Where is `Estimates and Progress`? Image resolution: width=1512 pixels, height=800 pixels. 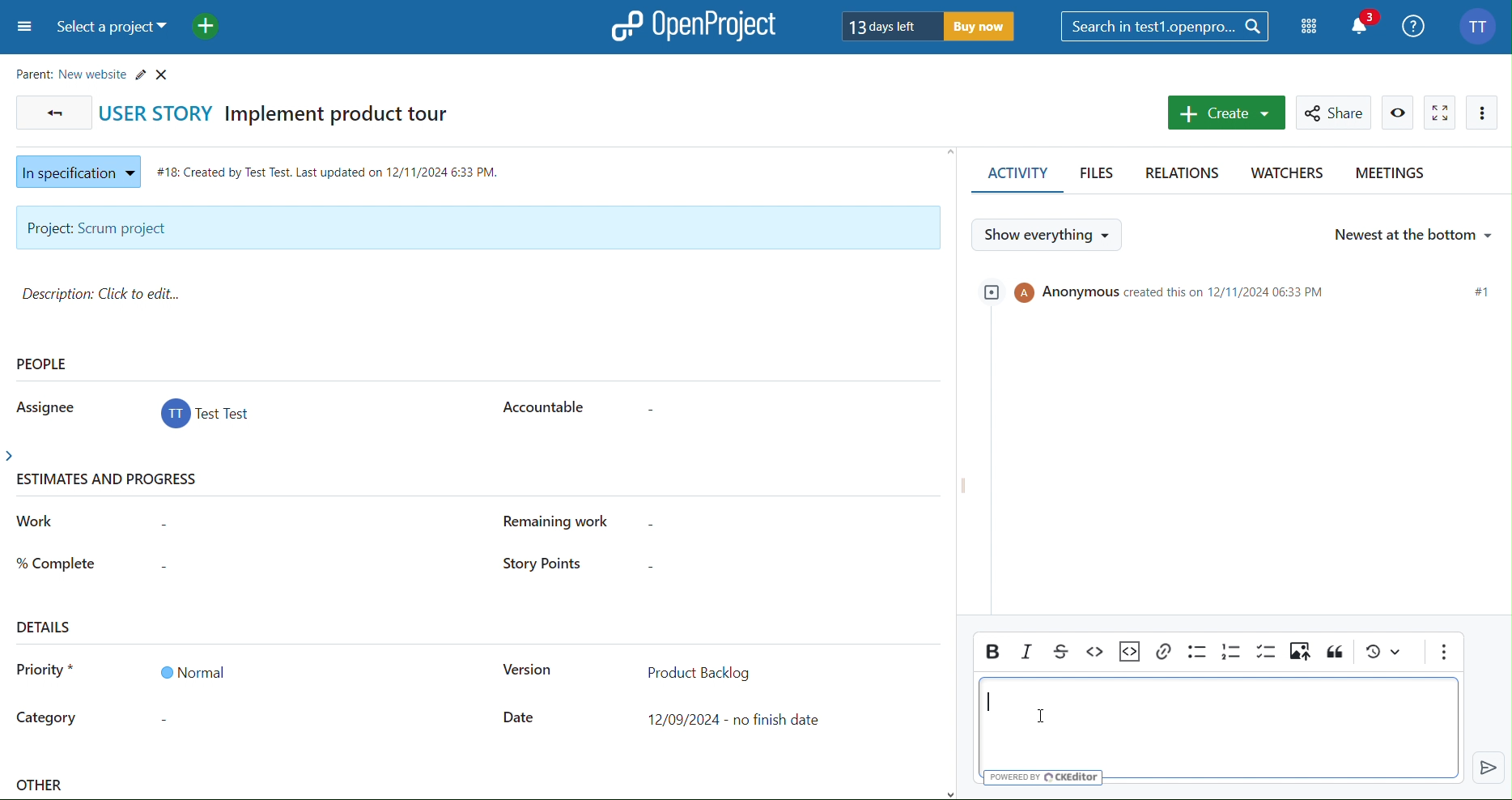
Estimates and Progress is located at coordinates (112, 481).